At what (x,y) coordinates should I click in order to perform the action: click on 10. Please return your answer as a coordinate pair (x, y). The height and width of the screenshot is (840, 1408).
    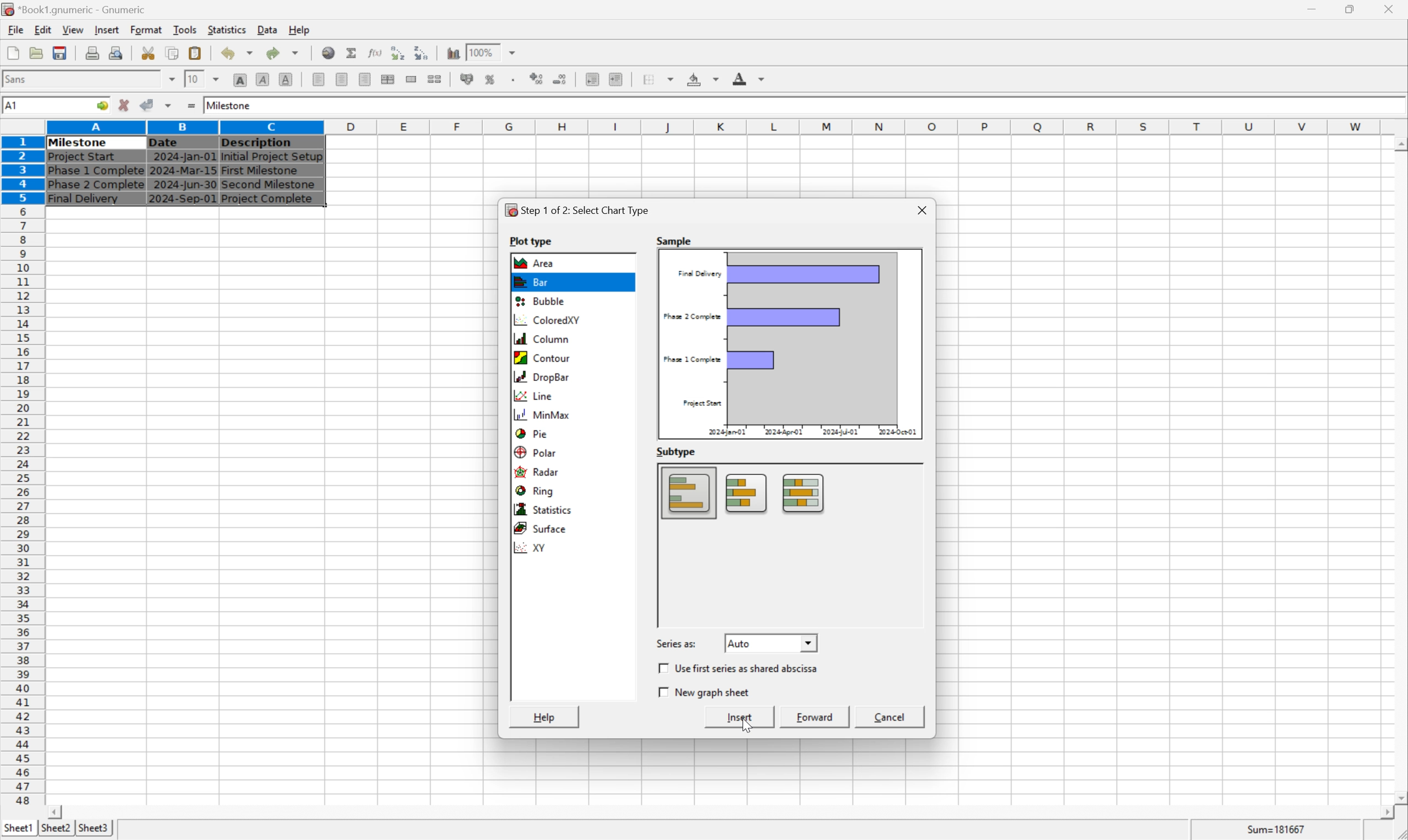
    Looking at the image, I should click on (192, 79).